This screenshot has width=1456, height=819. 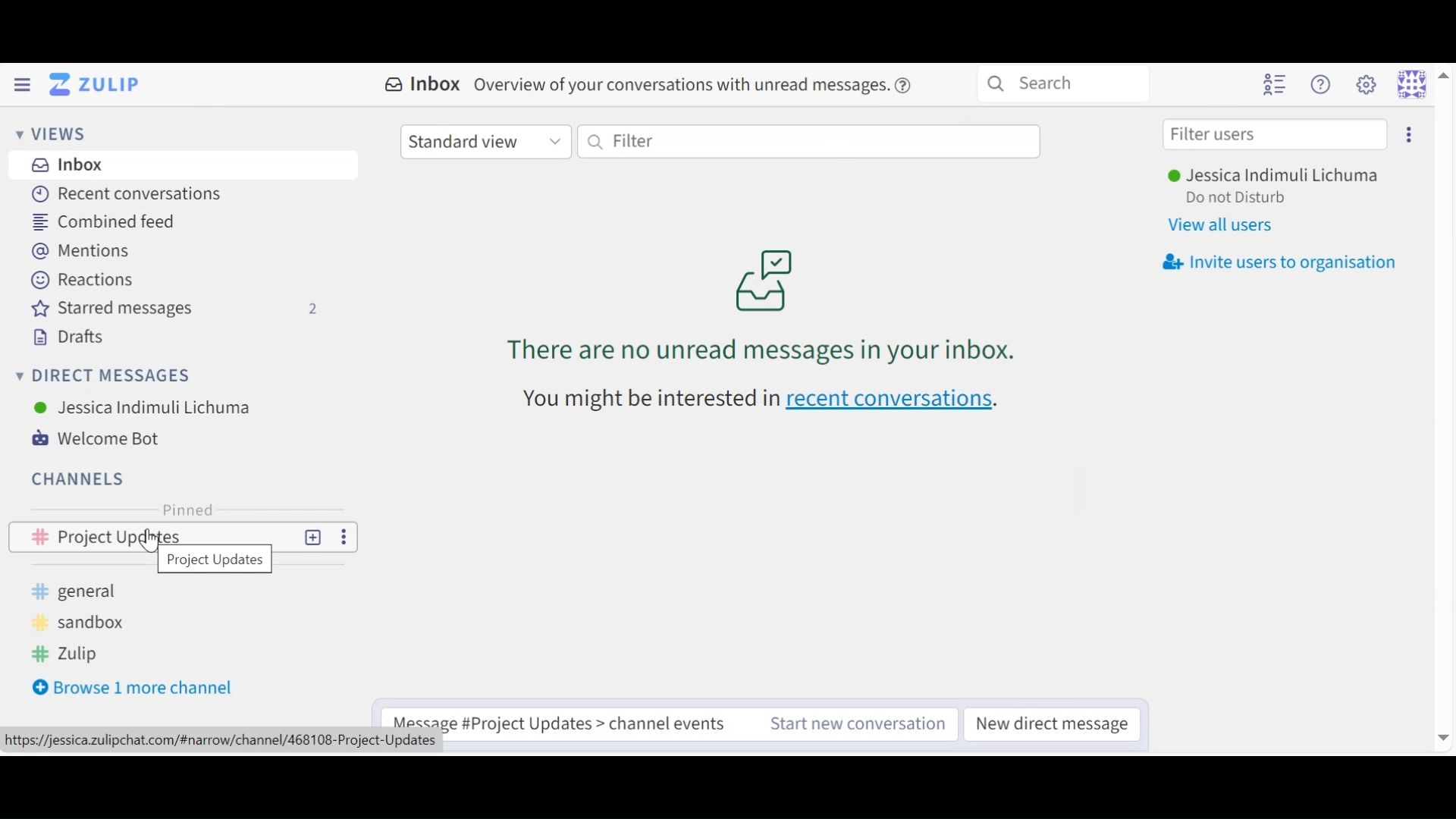 What do you see at coordinates (49, 134) in the screenshot?
I see `Views` at bounding box center [49, 134].